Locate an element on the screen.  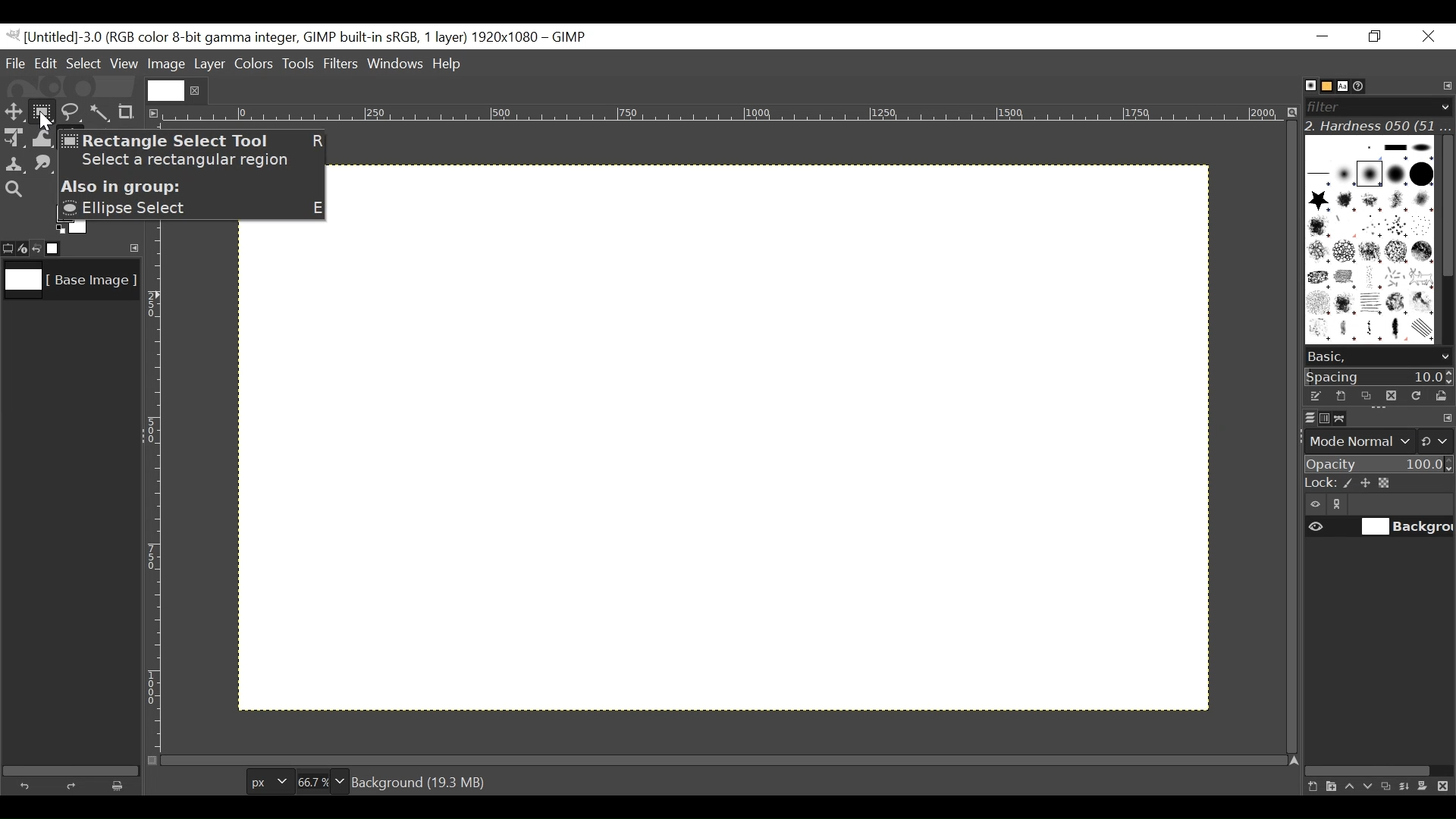
cursor is located at coordinates (43, 122).